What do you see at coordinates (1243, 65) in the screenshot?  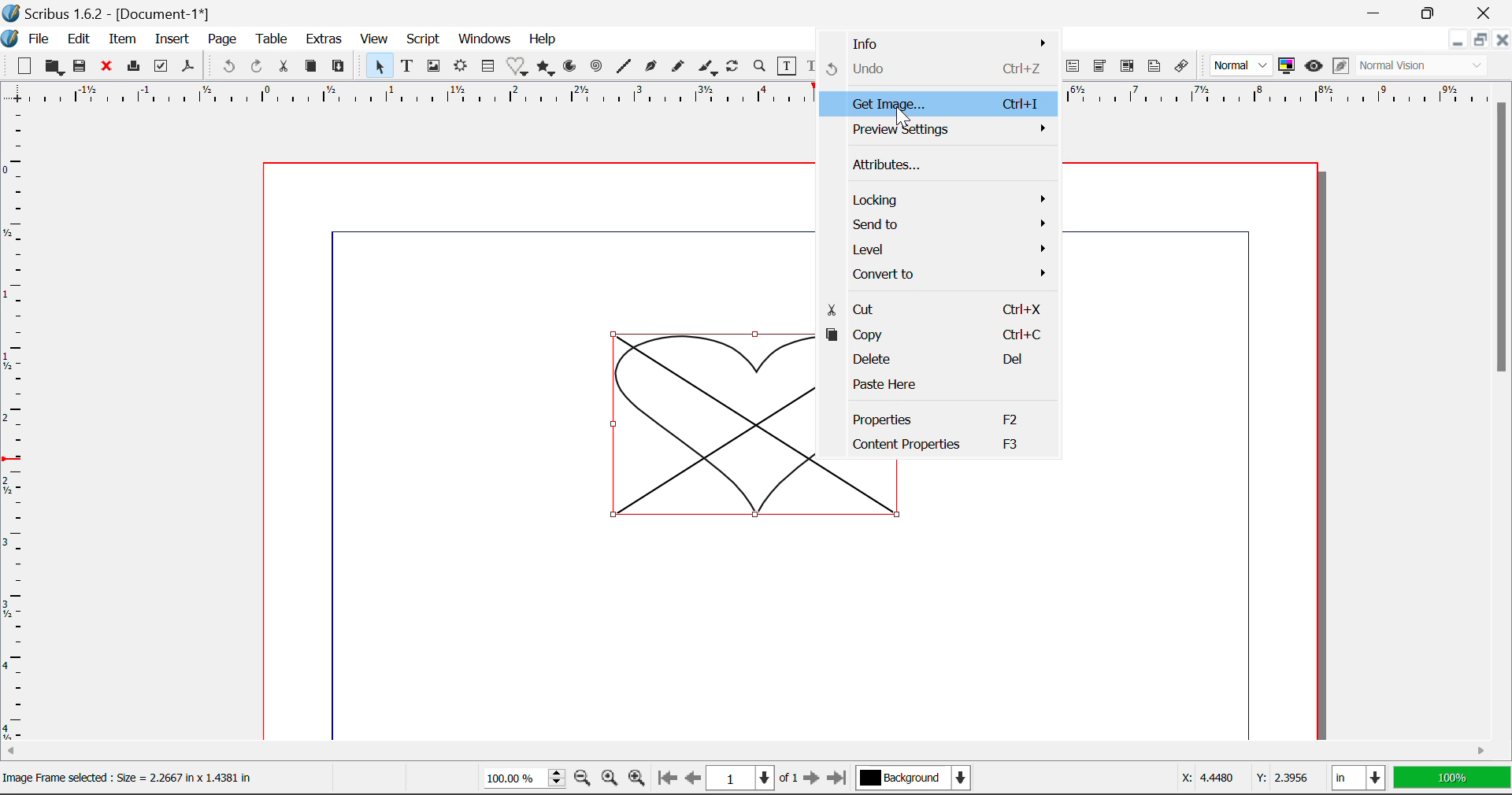 I see `Normal` at bounding box center [1243, 65].